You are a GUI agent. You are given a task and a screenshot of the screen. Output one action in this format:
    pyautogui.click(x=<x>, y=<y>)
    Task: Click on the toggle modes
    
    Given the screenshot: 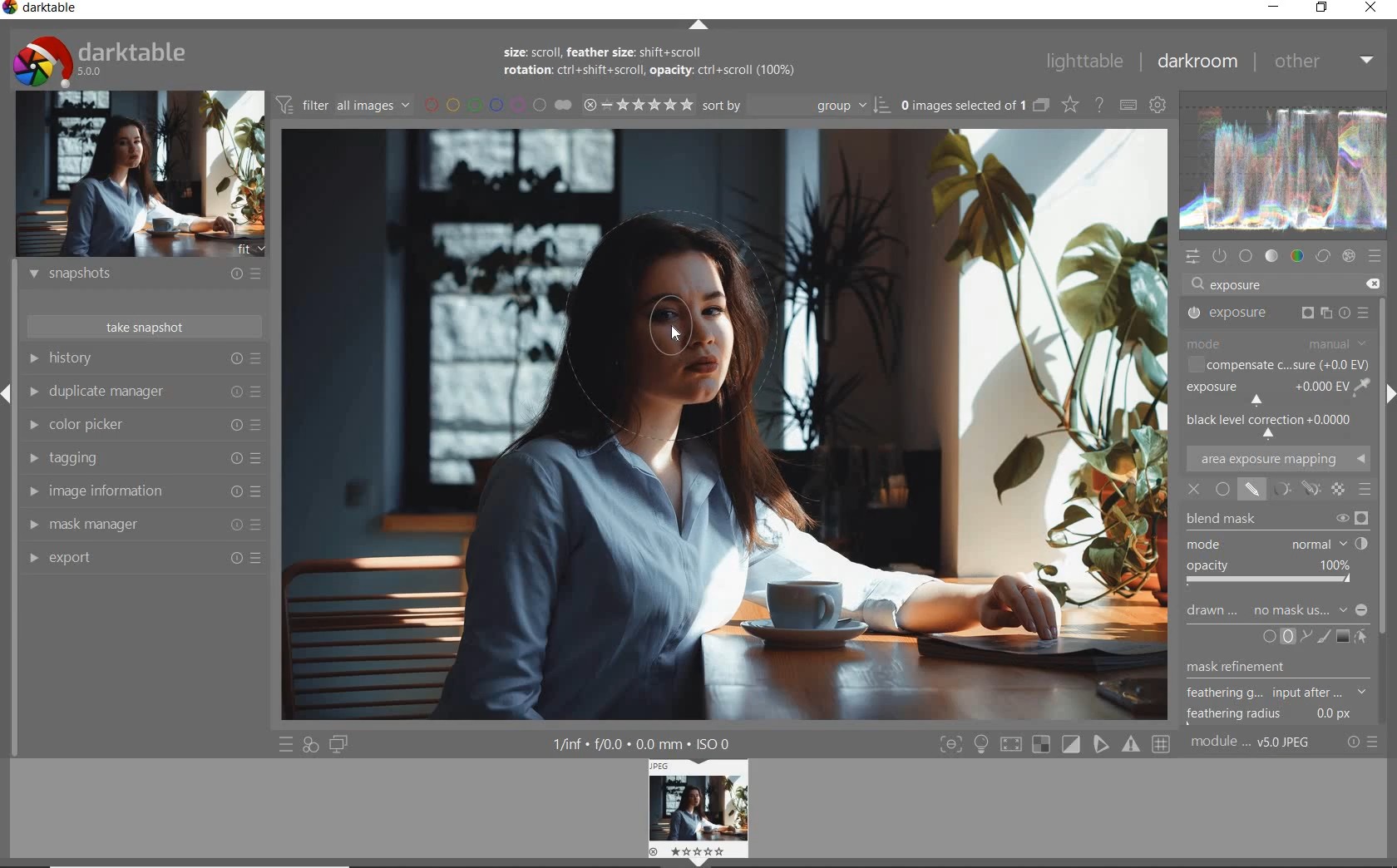 What is the action you would take?
    pyautogui.click(x=1055, y=744)
    